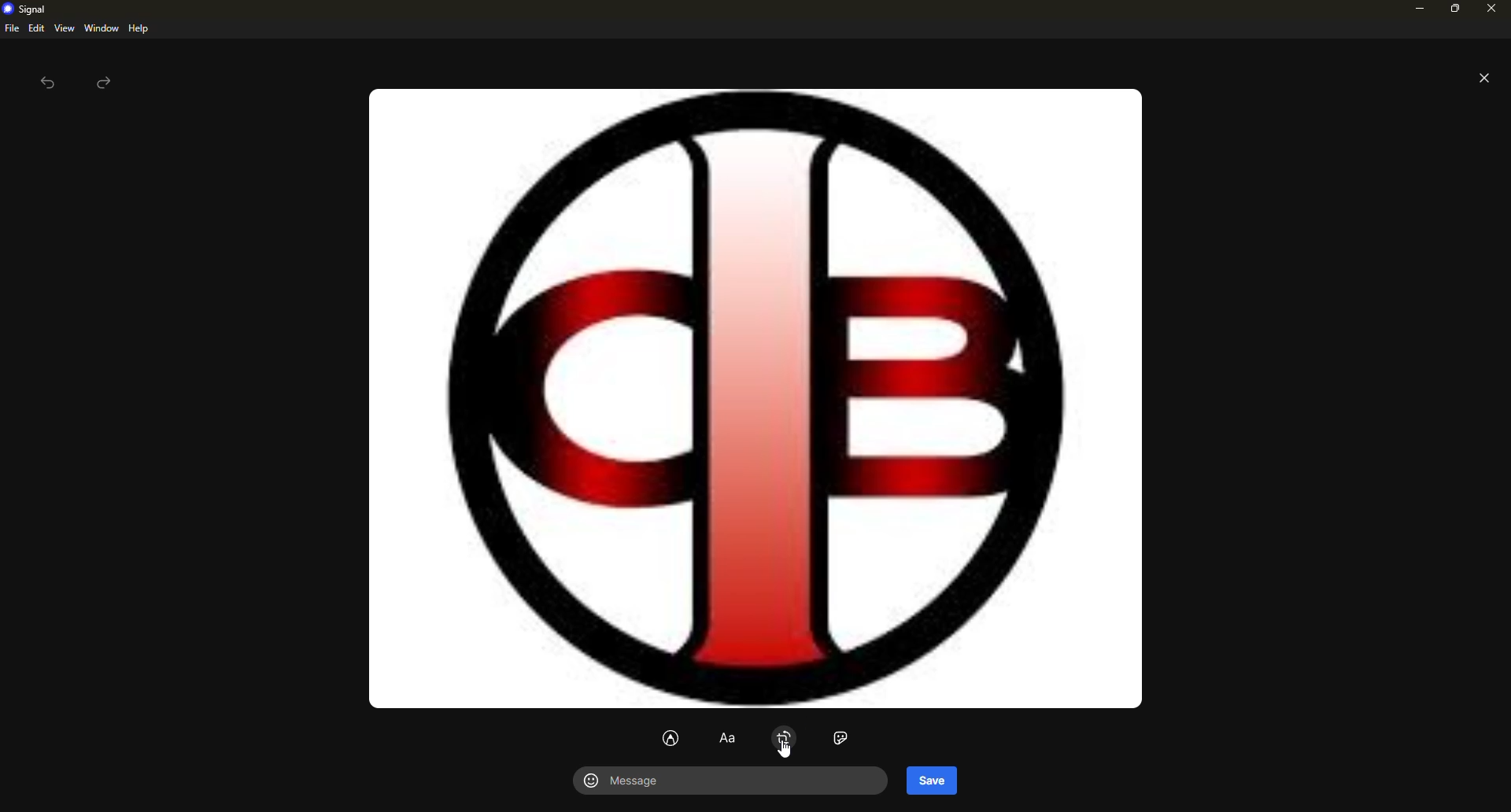 This screenshot has width=1511, height=812. I want to click on image, so click(748, 397).